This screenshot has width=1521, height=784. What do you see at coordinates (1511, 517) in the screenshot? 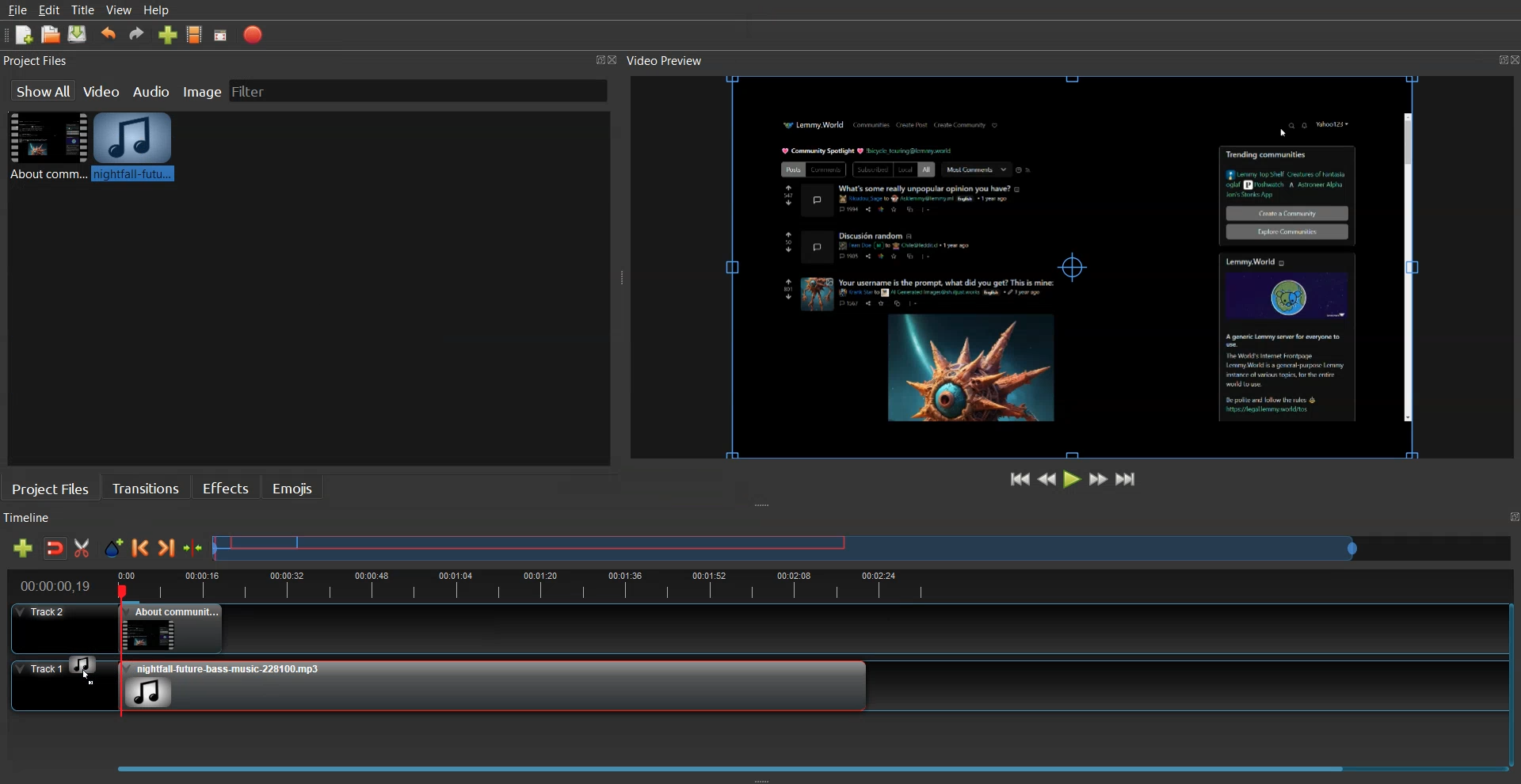
I see `Maximize` at bounding box center [1511, 517].